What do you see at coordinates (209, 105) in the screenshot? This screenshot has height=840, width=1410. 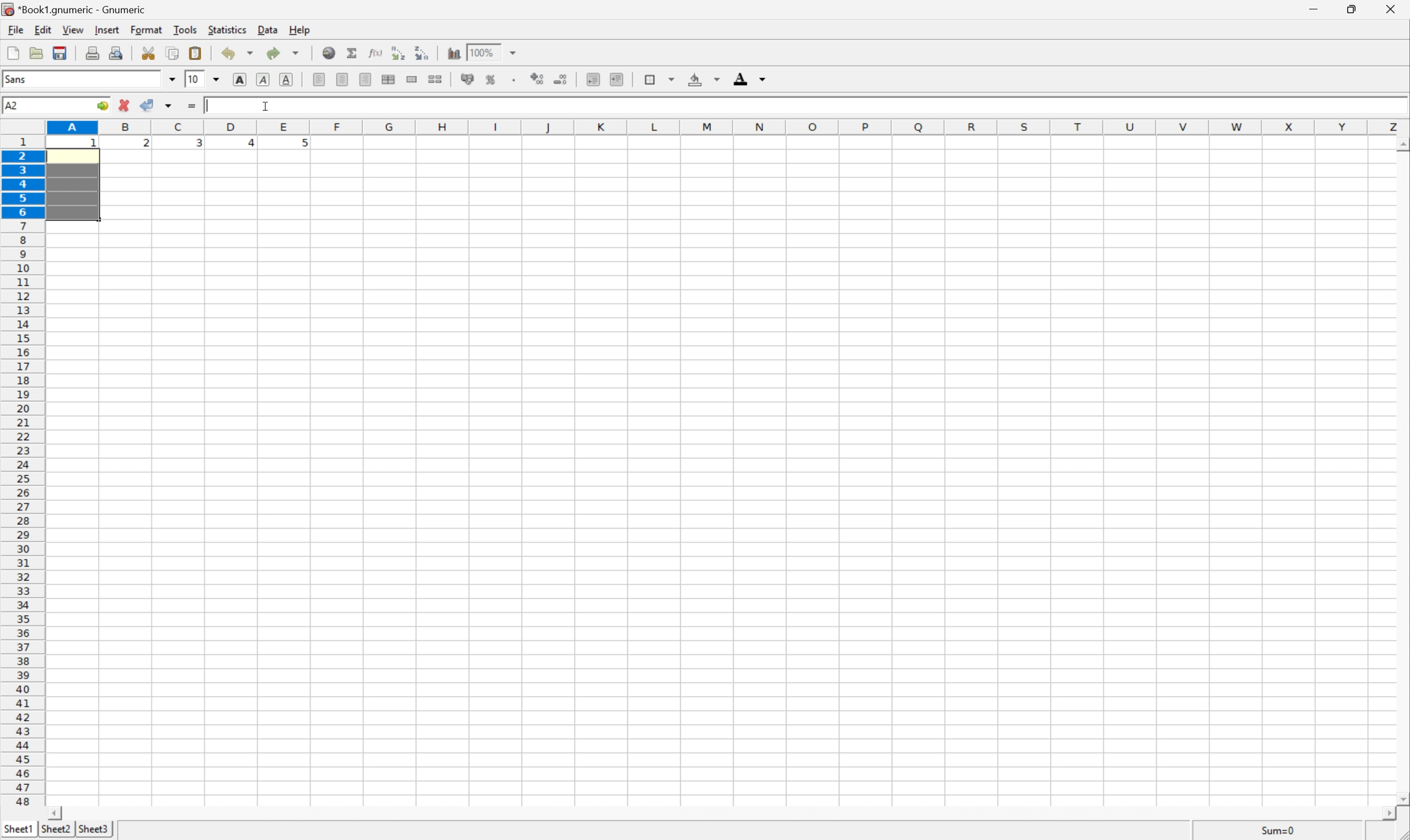 I see `typing cursor` at bounding box center [209, 105].